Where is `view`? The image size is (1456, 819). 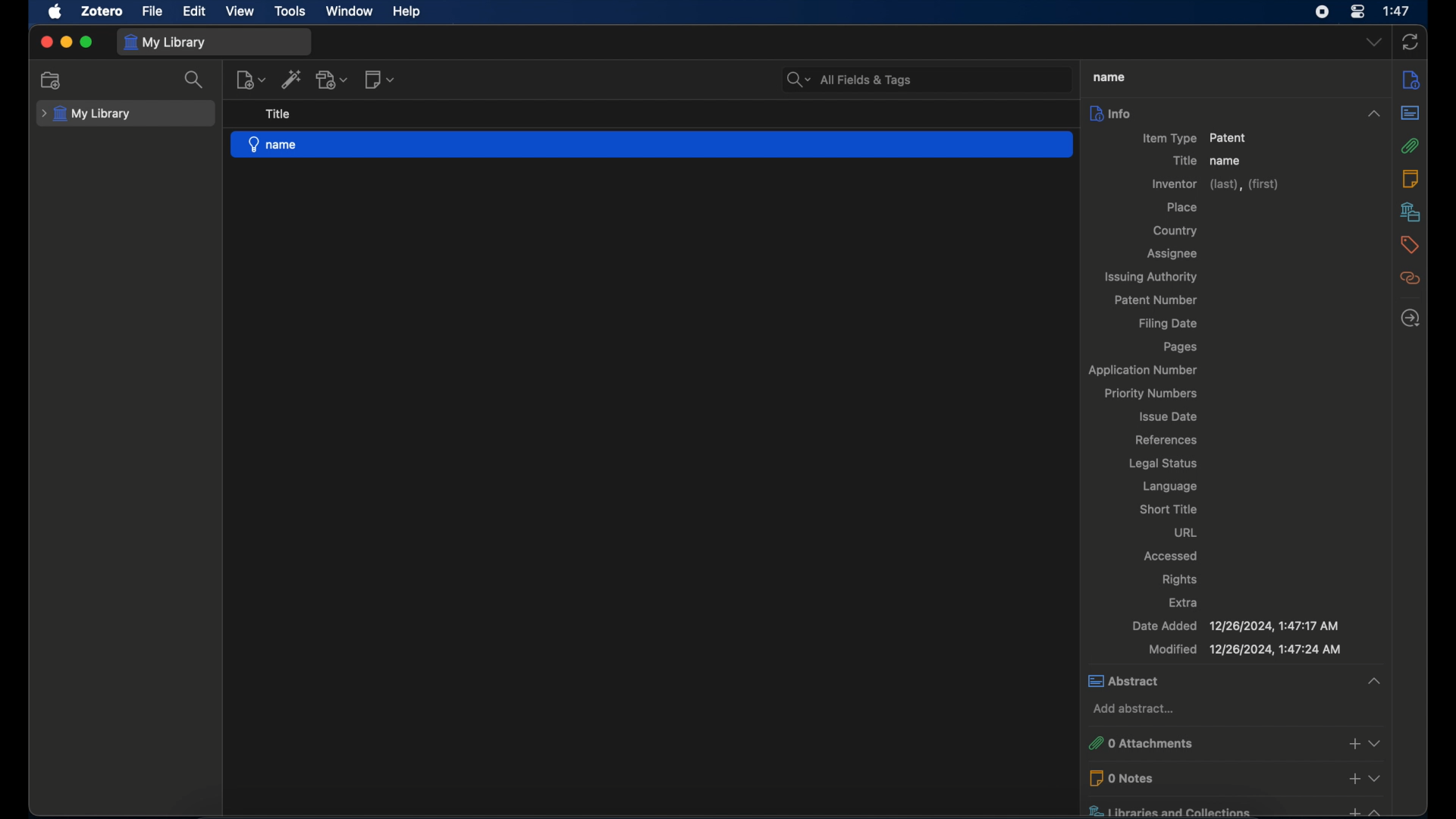
view is located at coordinates (241, 11).